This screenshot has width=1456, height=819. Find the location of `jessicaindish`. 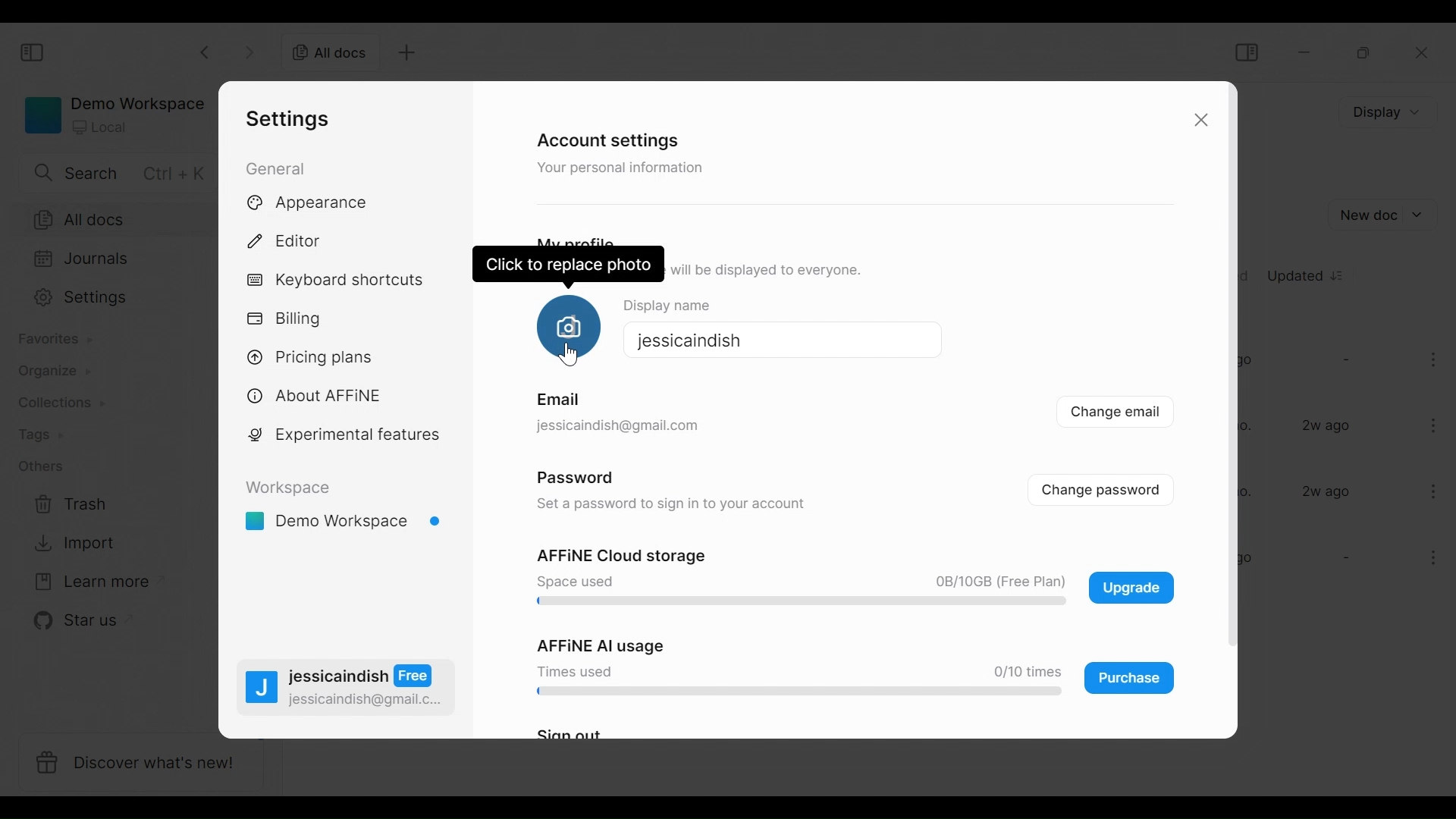

jessicaindish is located at coordinates (686, 339).